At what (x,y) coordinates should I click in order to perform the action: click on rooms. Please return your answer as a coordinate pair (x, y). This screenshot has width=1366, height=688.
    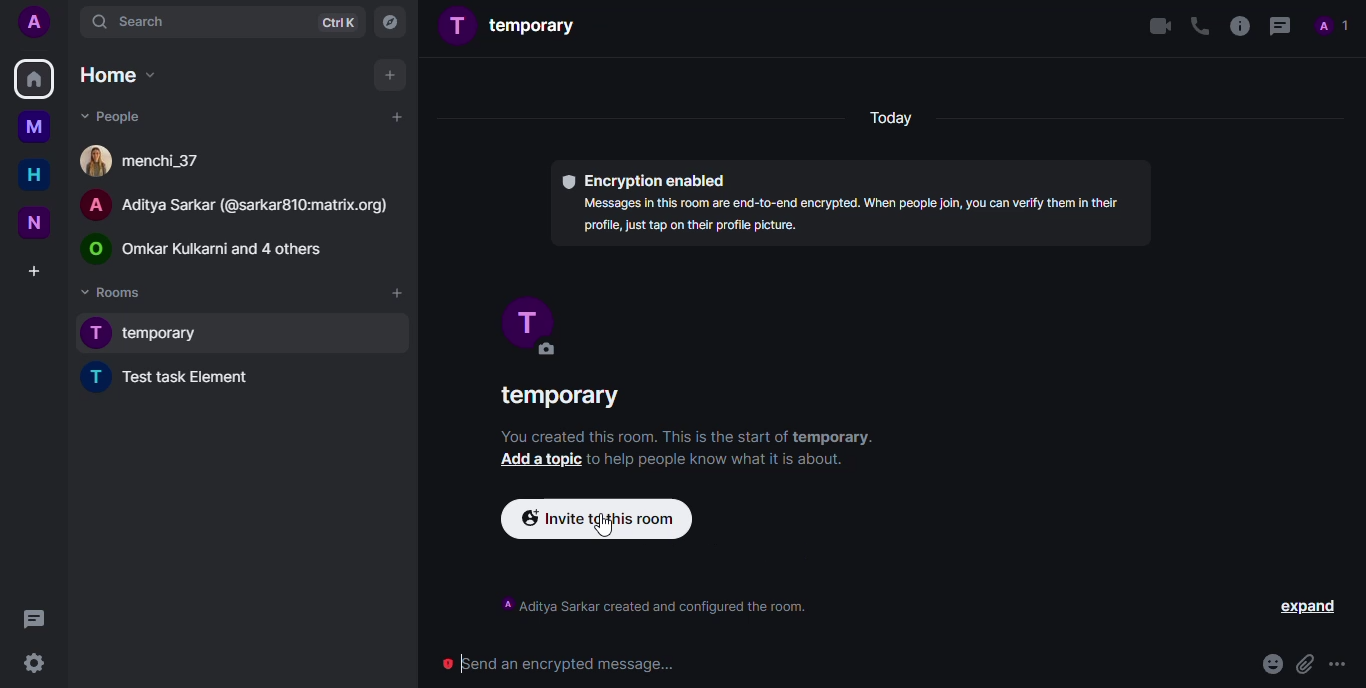
    Looking at the image, I should click on (115, 291).